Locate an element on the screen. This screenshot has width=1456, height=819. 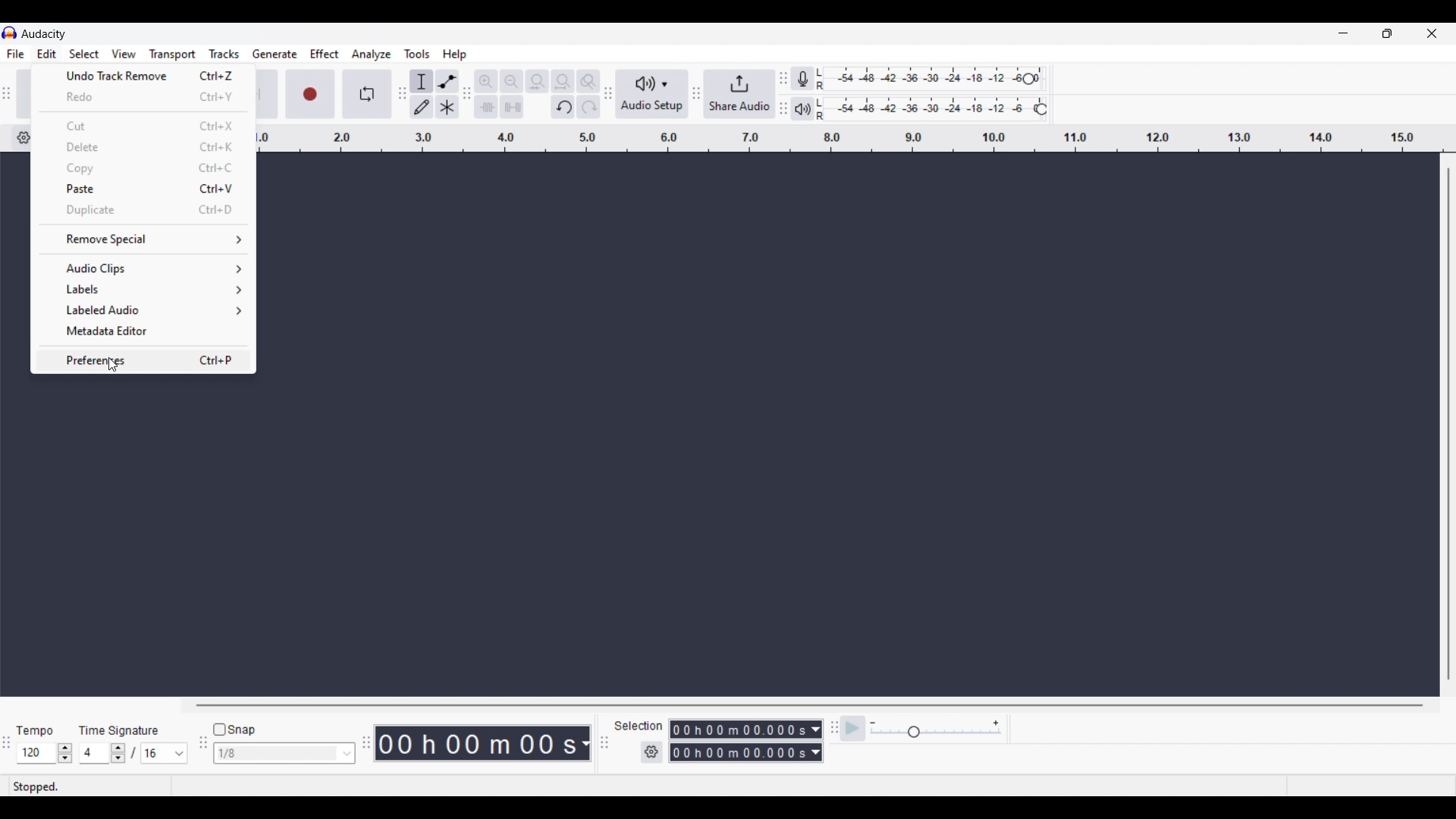
Selected time signature is located at coordinates (96, 754).